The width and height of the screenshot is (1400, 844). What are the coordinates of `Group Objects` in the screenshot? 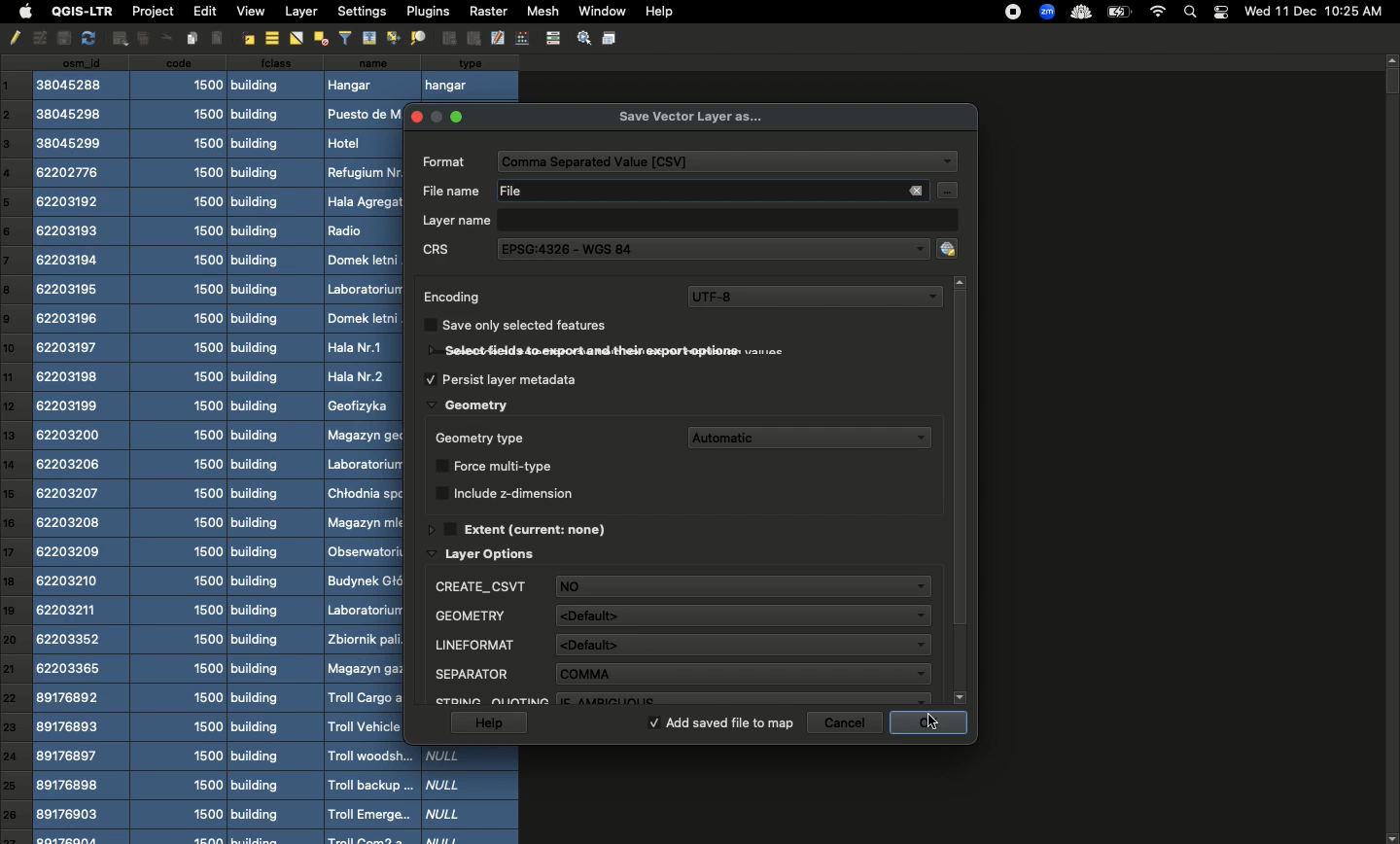 It's located at (448, 38).